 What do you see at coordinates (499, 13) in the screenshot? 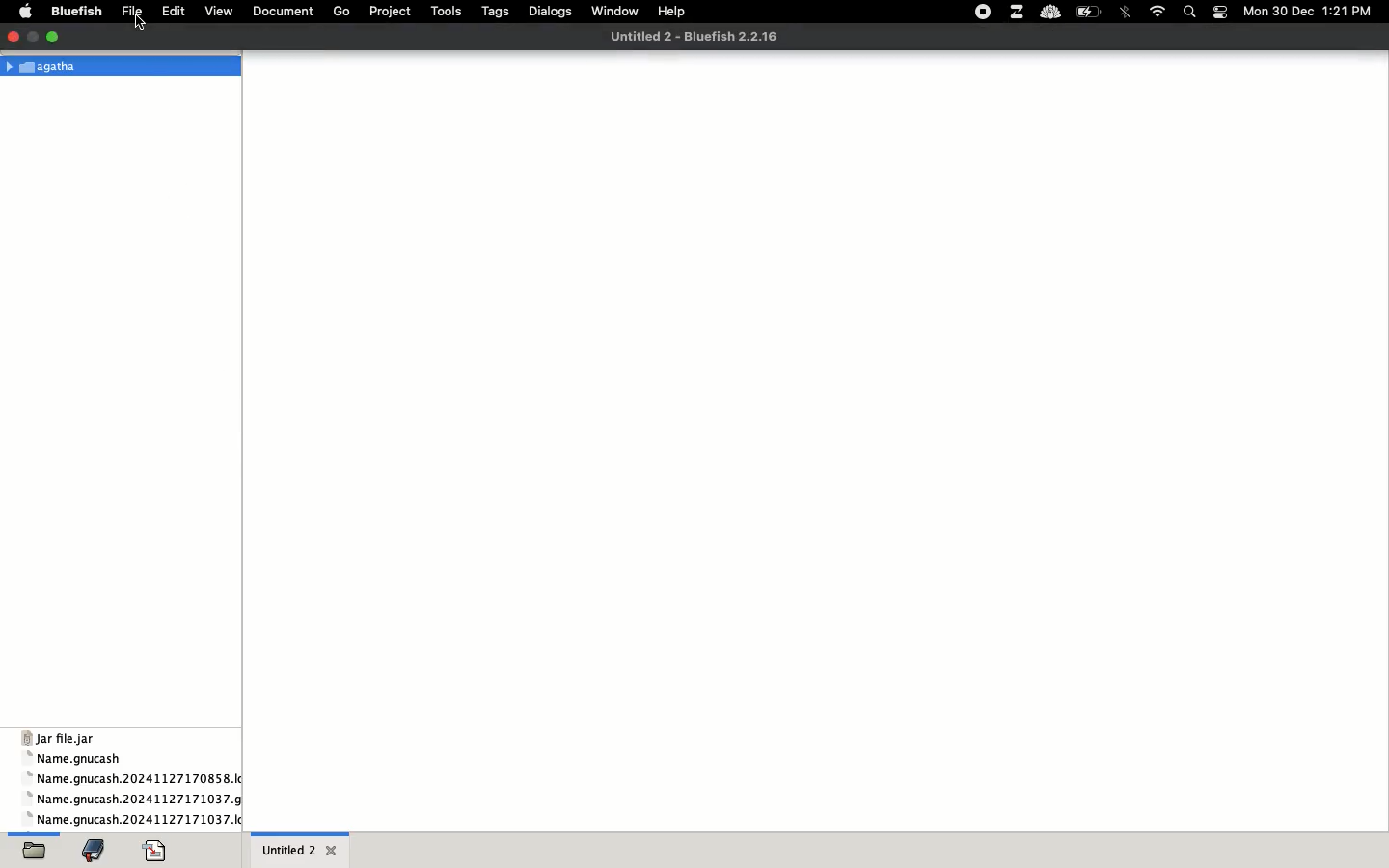
I see `tags` at bounding box center [499, 13].